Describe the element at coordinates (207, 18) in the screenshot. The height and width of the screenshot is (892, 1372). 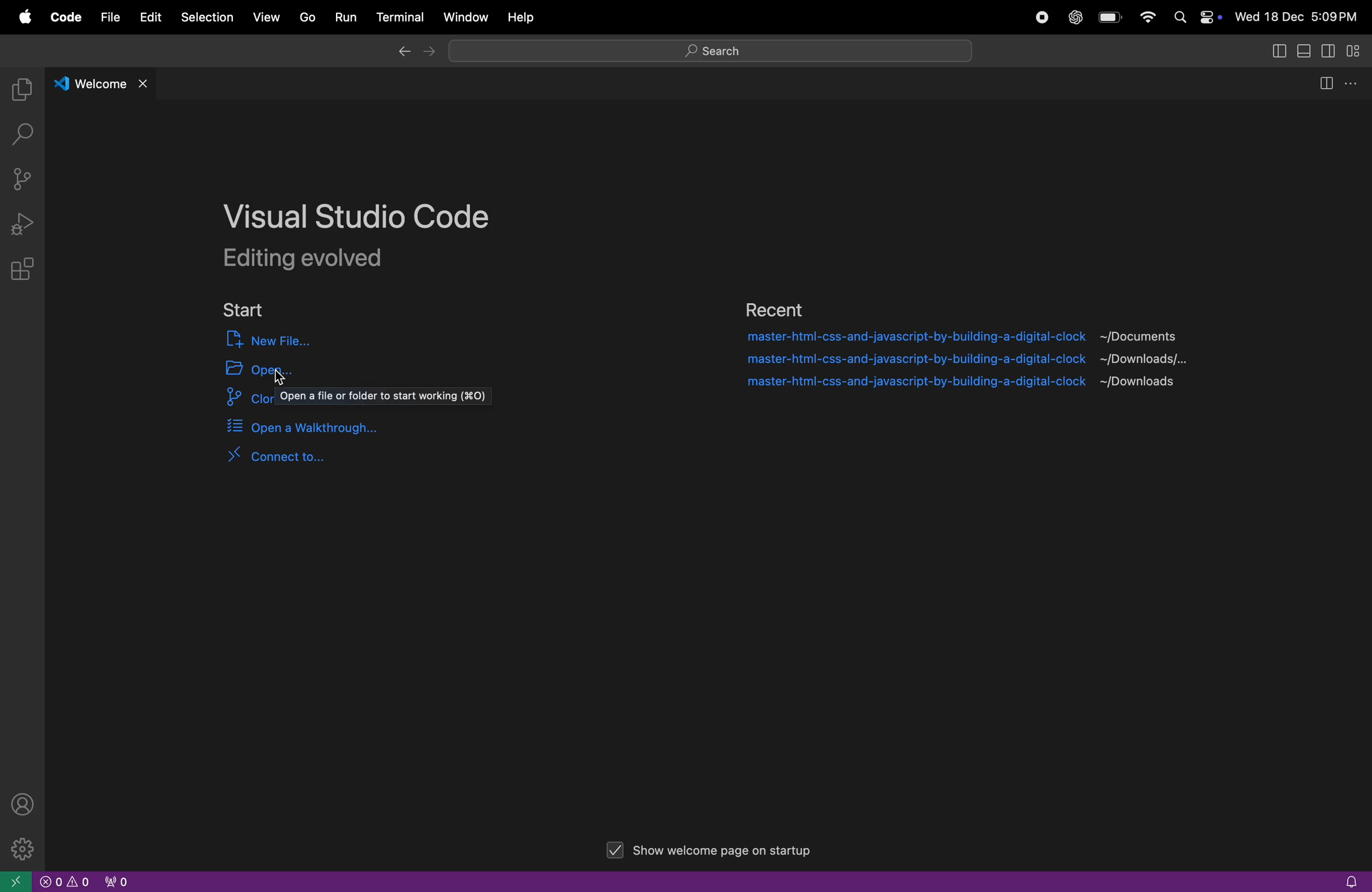
I see `selection` at that location.